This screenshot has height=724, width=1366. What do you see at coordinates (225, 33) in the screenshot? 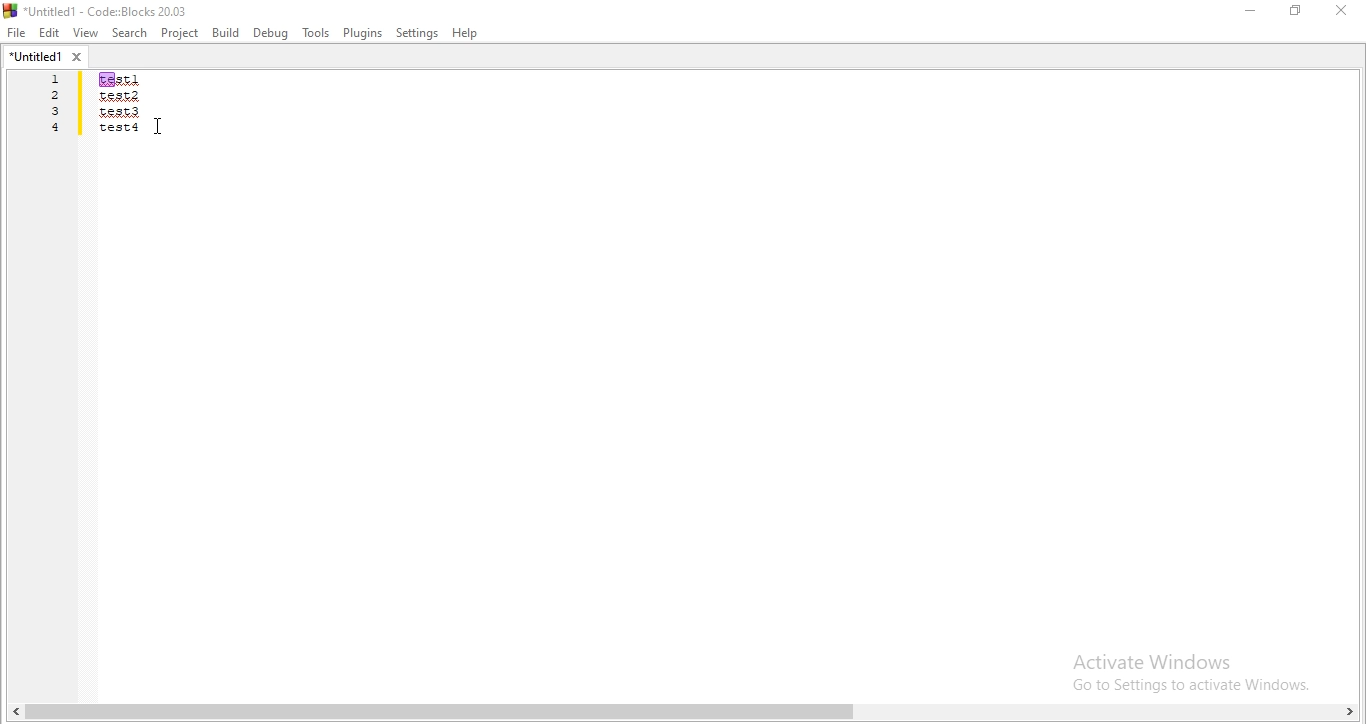
I see `Build ` at bounding box center [225, 33].